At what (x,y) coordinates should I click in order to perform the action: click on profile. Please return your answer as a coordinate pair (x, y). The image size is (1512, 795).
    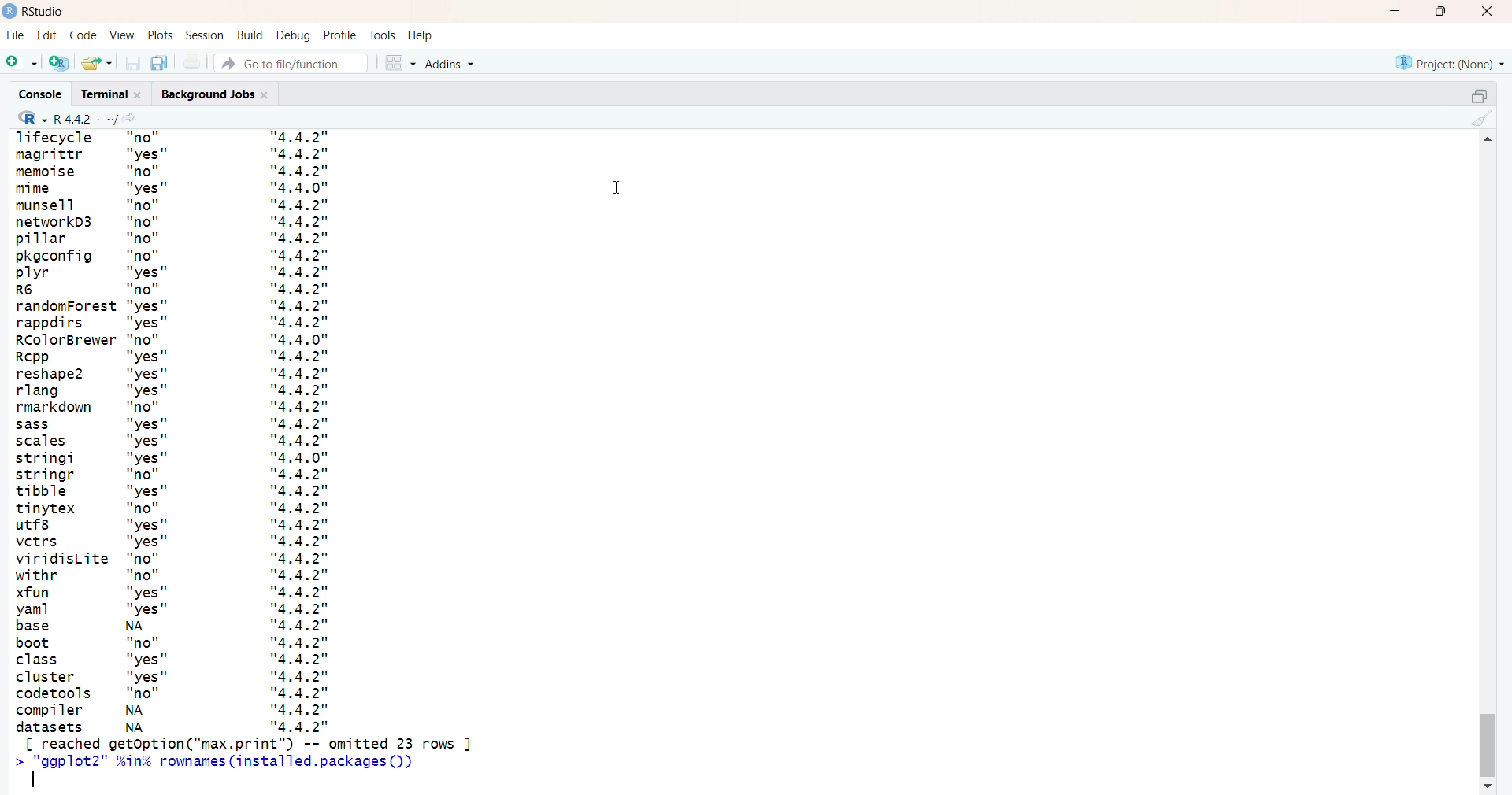
    Looking at the image, I should click on (341, 35).